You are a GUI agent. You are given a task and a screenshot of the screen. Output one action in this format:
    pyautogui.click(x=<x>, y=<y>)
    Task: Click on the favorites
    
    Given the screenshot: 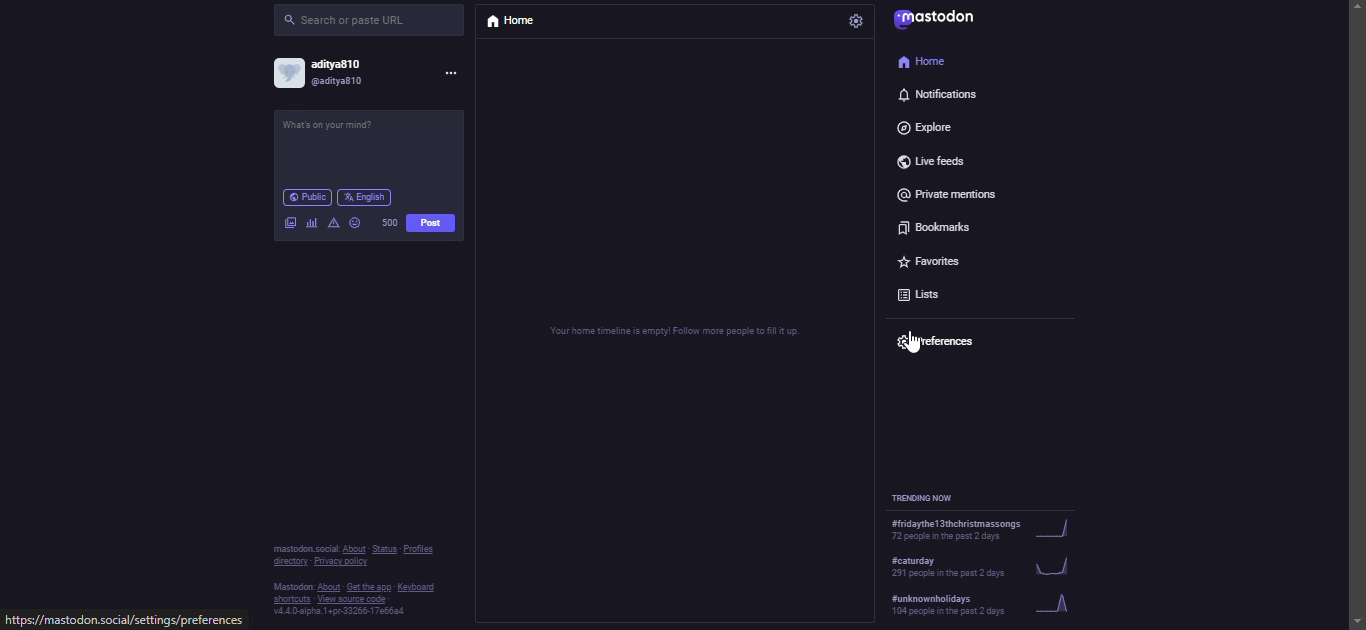 What is the action you would take?
    pyautogui.click(x=927, y=258)
    